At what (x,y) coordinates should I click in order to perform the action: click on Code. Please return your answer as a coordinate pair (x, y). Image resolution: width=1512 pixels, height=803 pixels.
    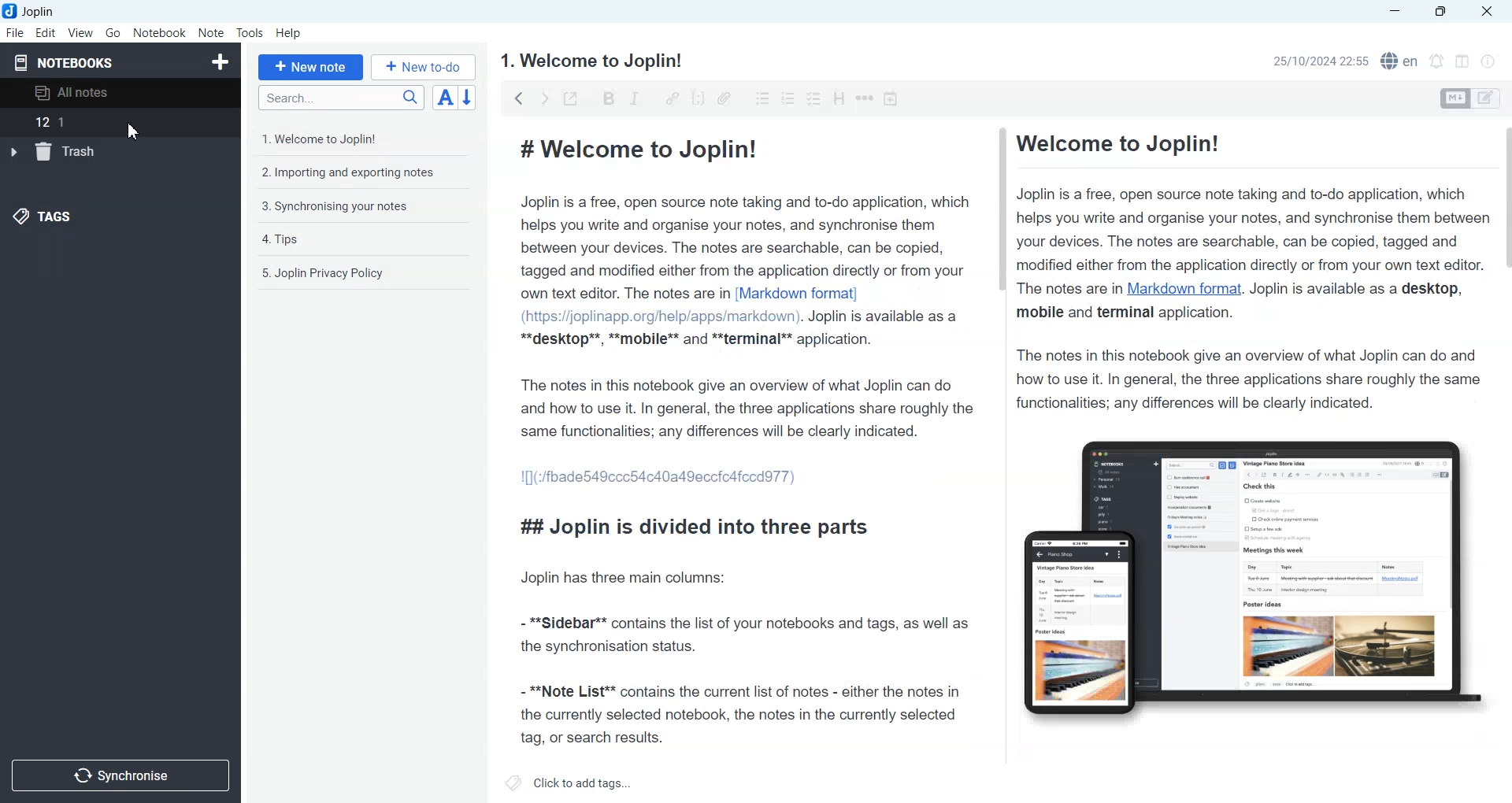
    Looking at the image, I should click on (699, 98).